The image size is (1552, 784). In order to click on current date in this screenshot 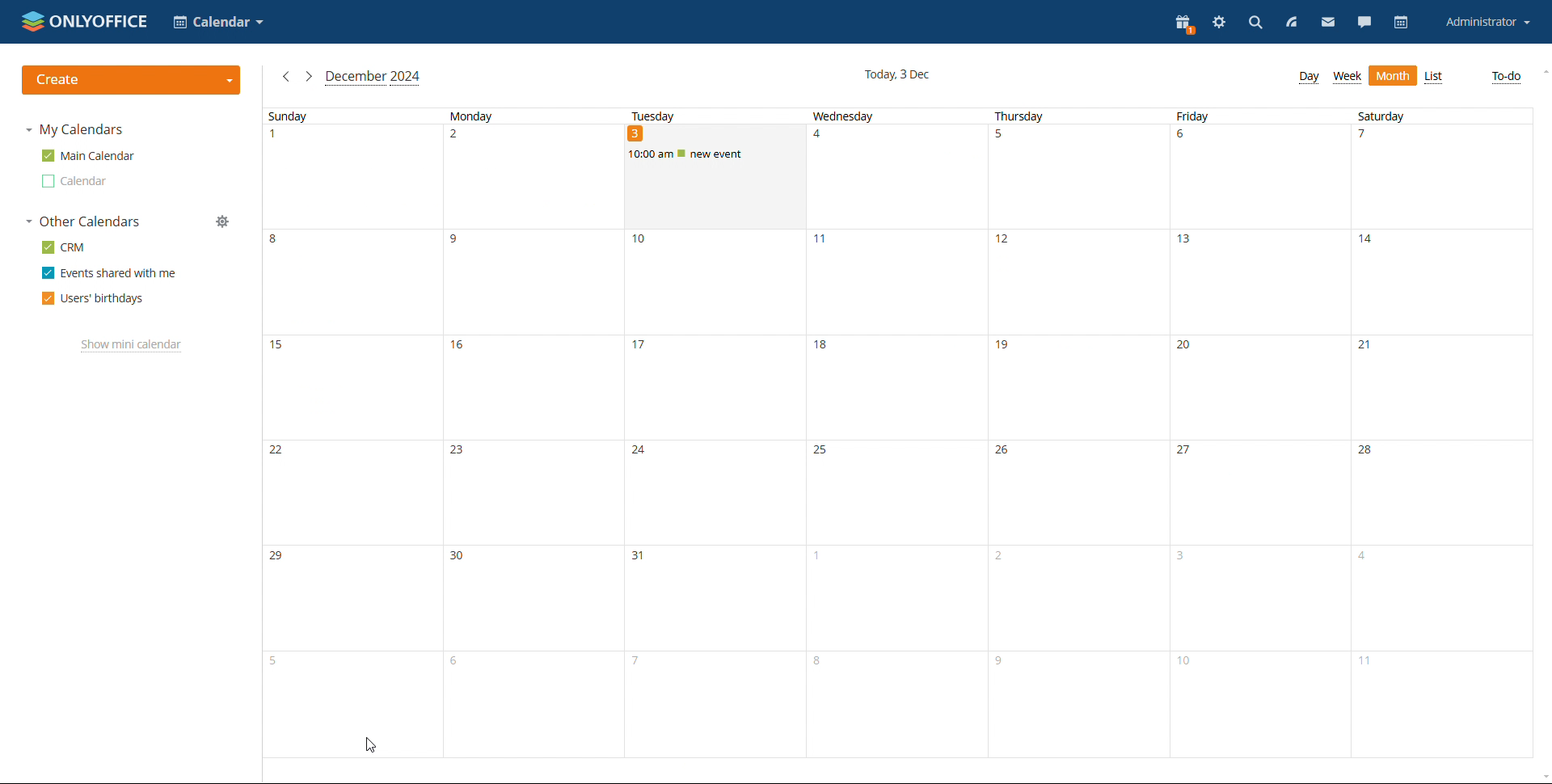, I will do `click(896, 76)`.